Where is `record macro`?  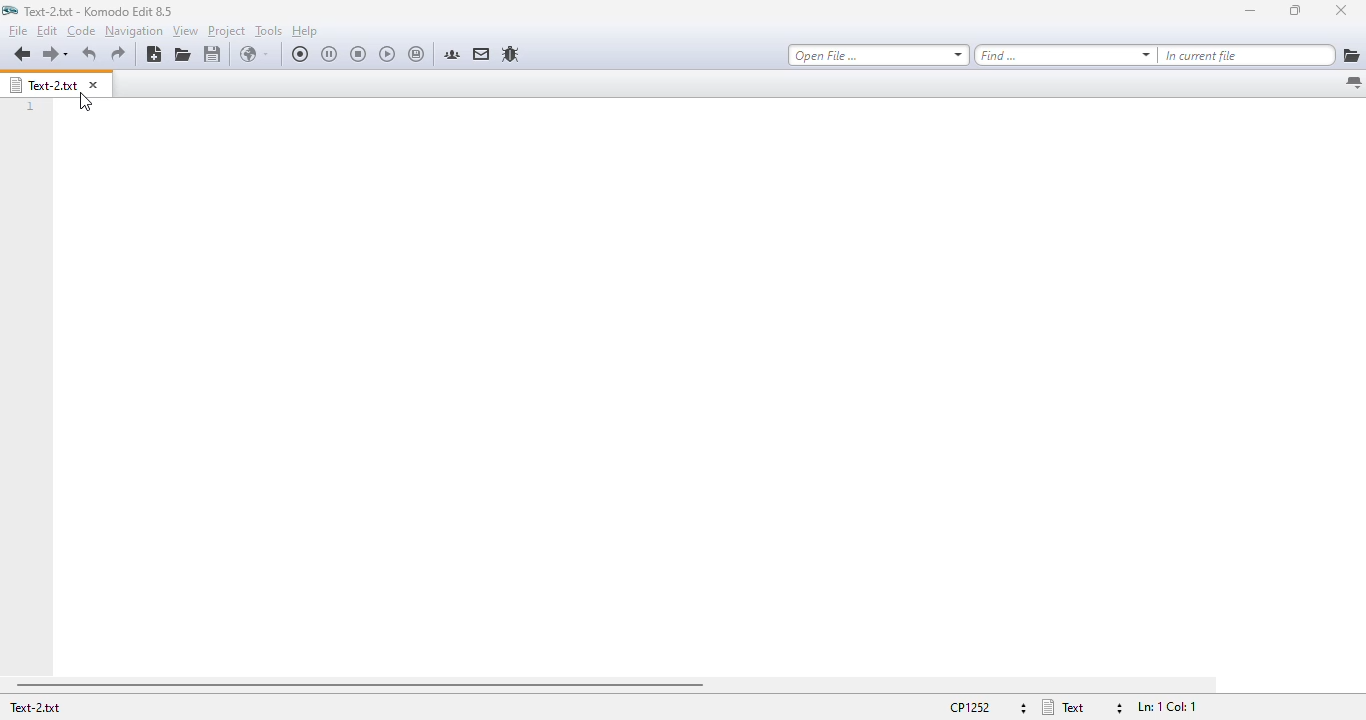 record macro is located at coordinates (301, 53).